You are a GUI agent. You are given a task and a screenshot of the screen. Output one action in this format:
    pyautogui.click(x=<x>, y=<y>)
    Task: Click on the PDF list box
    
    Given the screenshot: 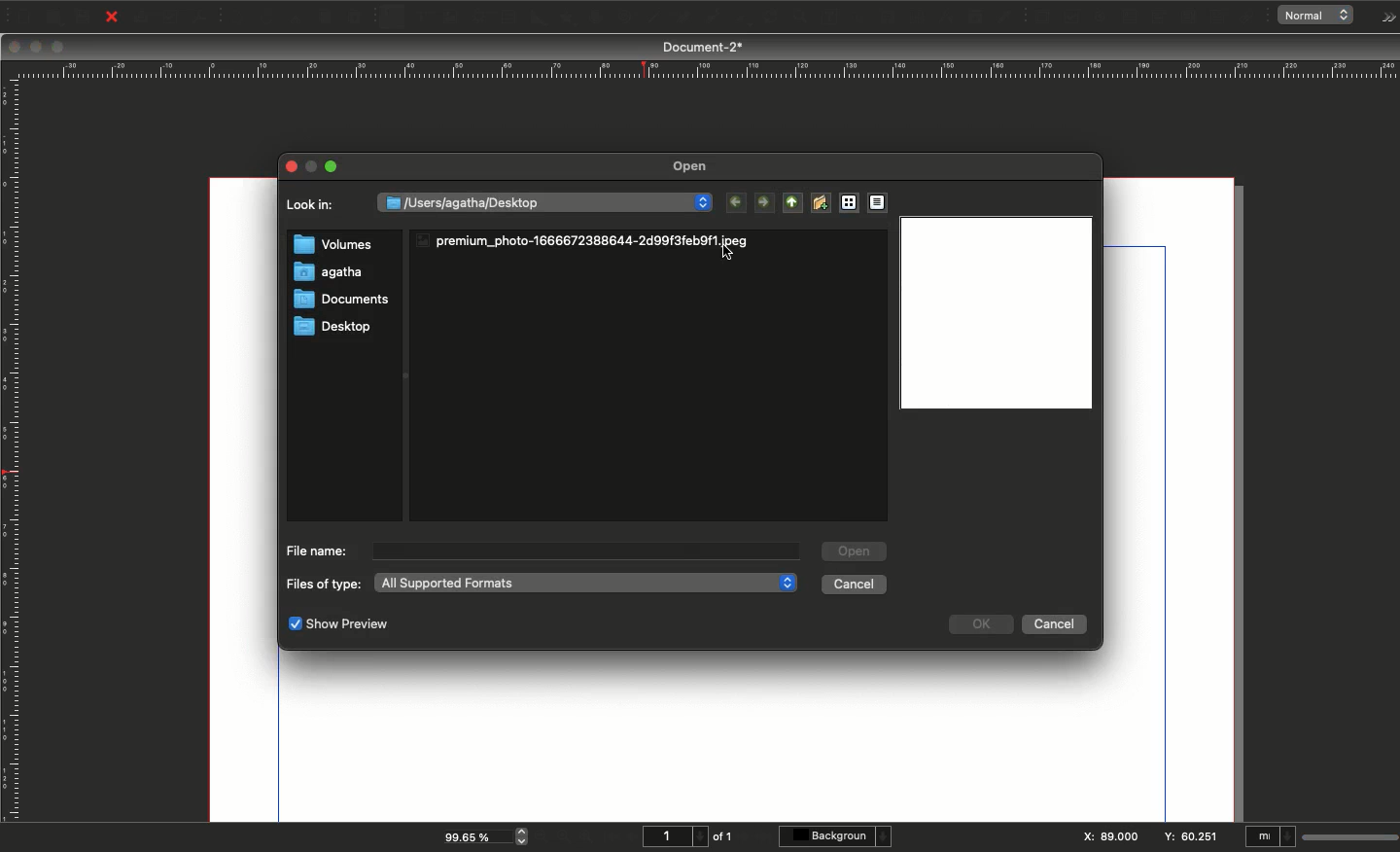 What is the action you would take?
    pyautogui.click(x=1189, y=18)
    